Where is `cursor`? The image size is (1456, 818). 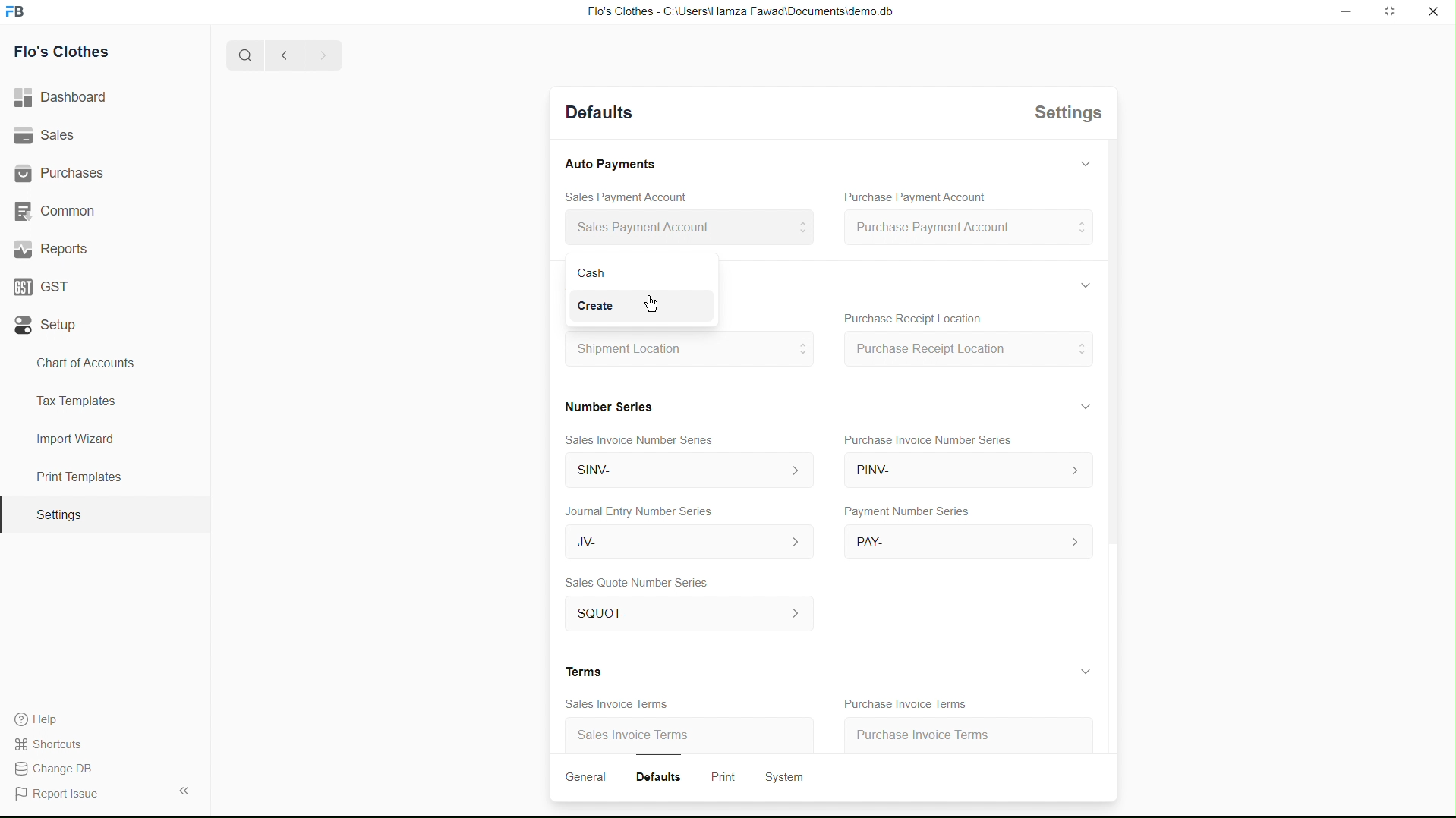
cursor is located at coordinates (650, 300).